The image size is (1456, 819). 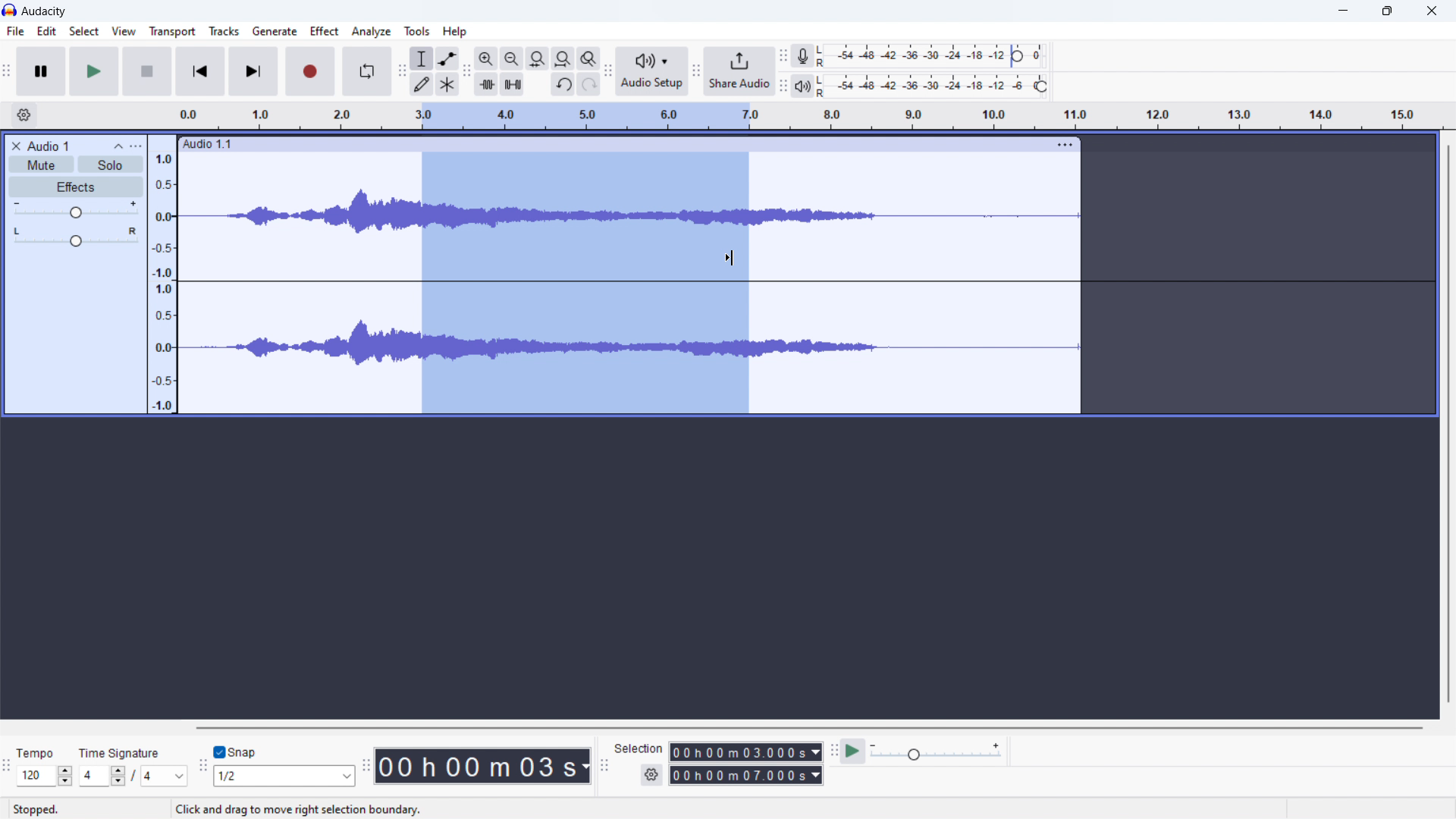 What do you see at coordinates (253, 72) in the screenshot?
I see `skip to end` at bounding box center [253, 72].